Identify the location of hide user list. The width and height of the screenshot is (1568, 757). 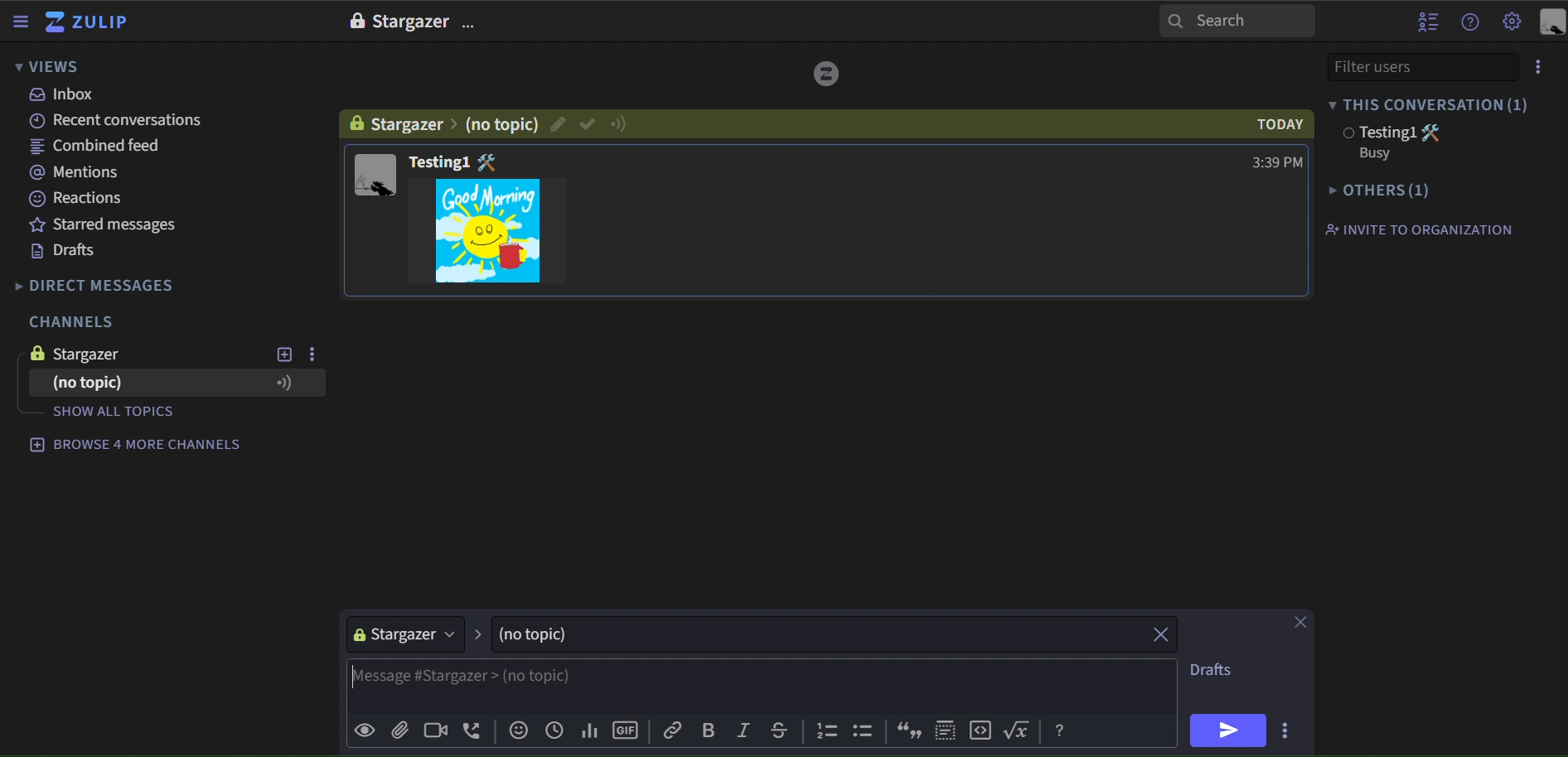
(1428, 20).